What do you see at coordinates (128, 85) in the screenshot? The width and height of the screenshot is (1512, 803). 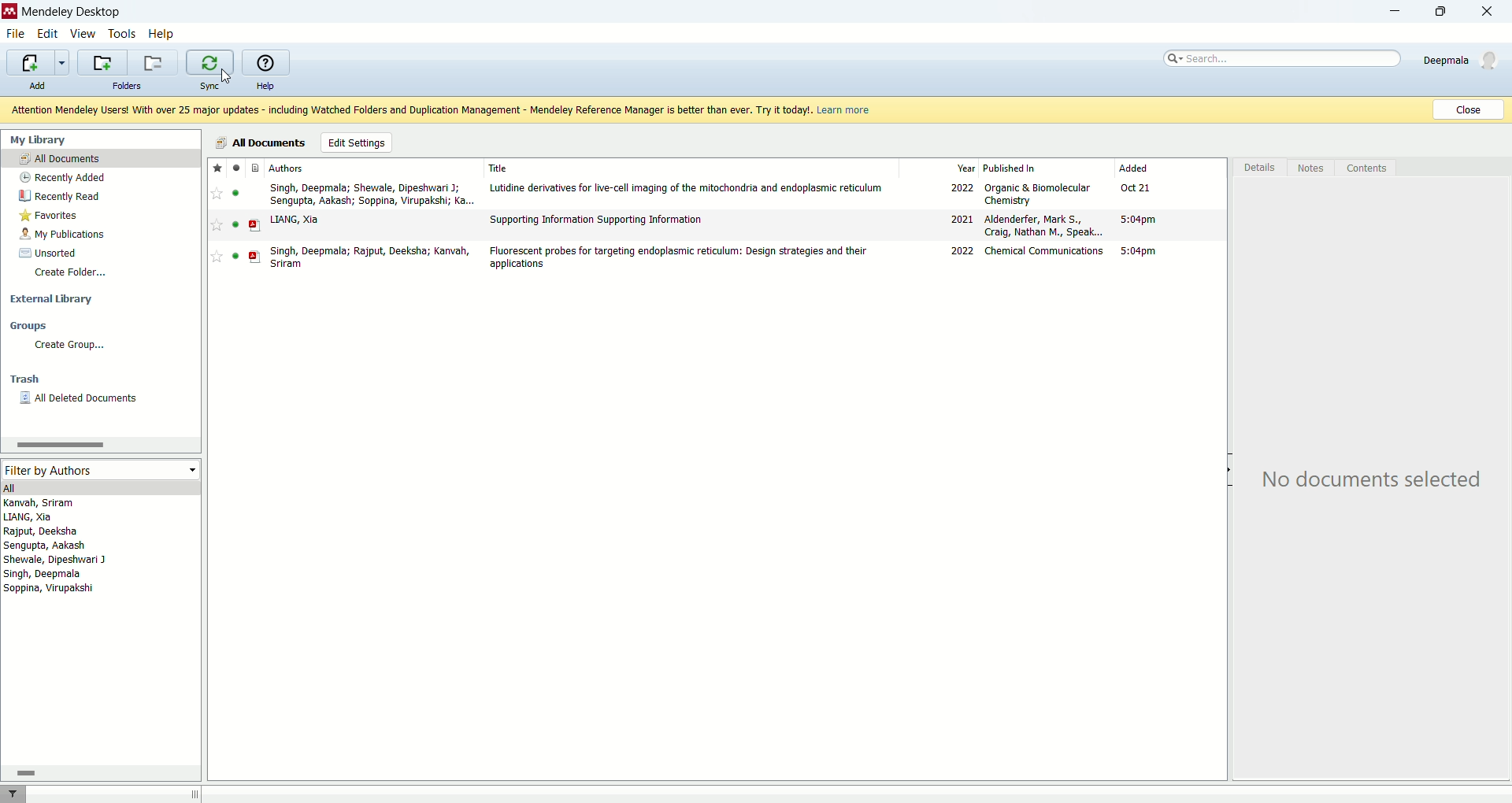 I see `folders` at bounding box center [128, 85].